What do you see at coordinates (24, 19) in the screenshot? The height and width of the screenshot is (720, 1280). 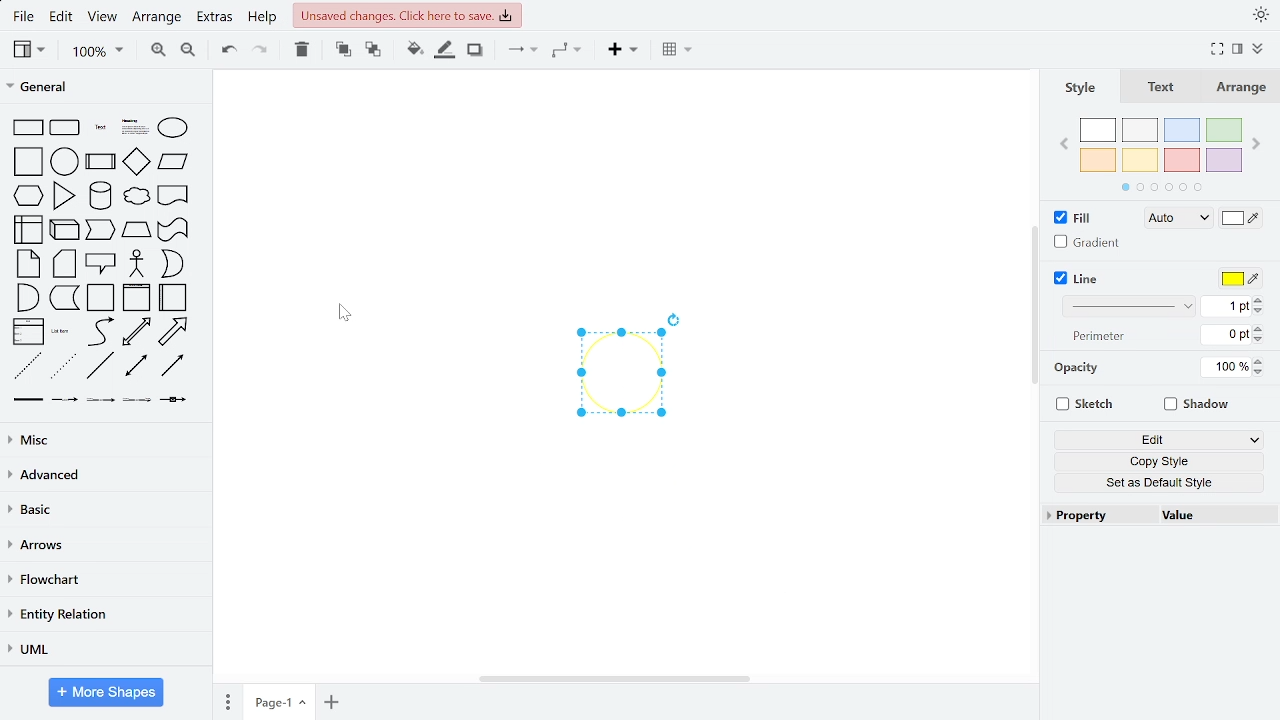 I see `file` at bounding box center [24, 19].